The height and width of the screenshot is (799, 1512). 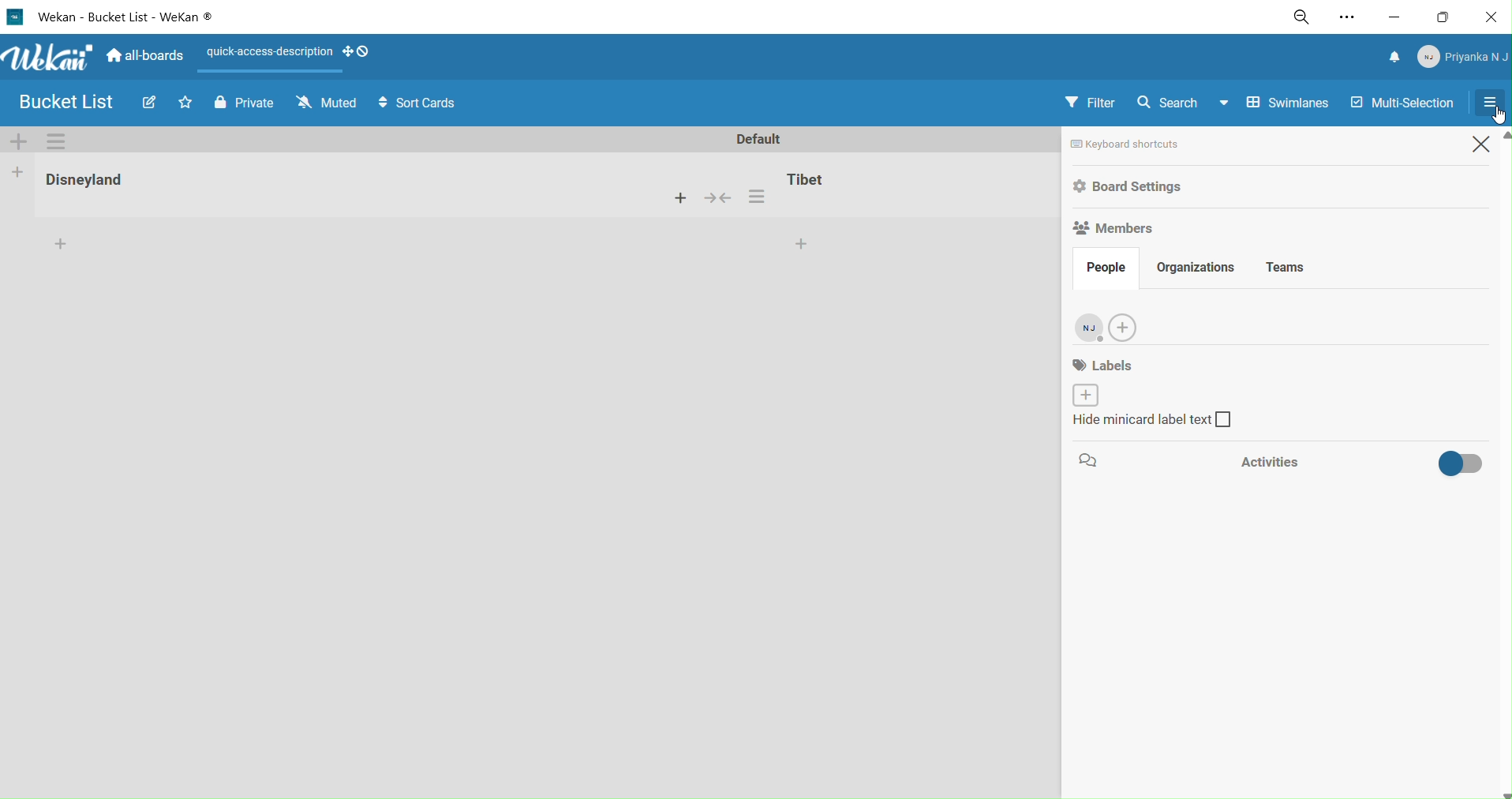 What do you see at coordinates (719, 199) in the screenshot?
I see `merge cards` at bounding box center [719, 199].